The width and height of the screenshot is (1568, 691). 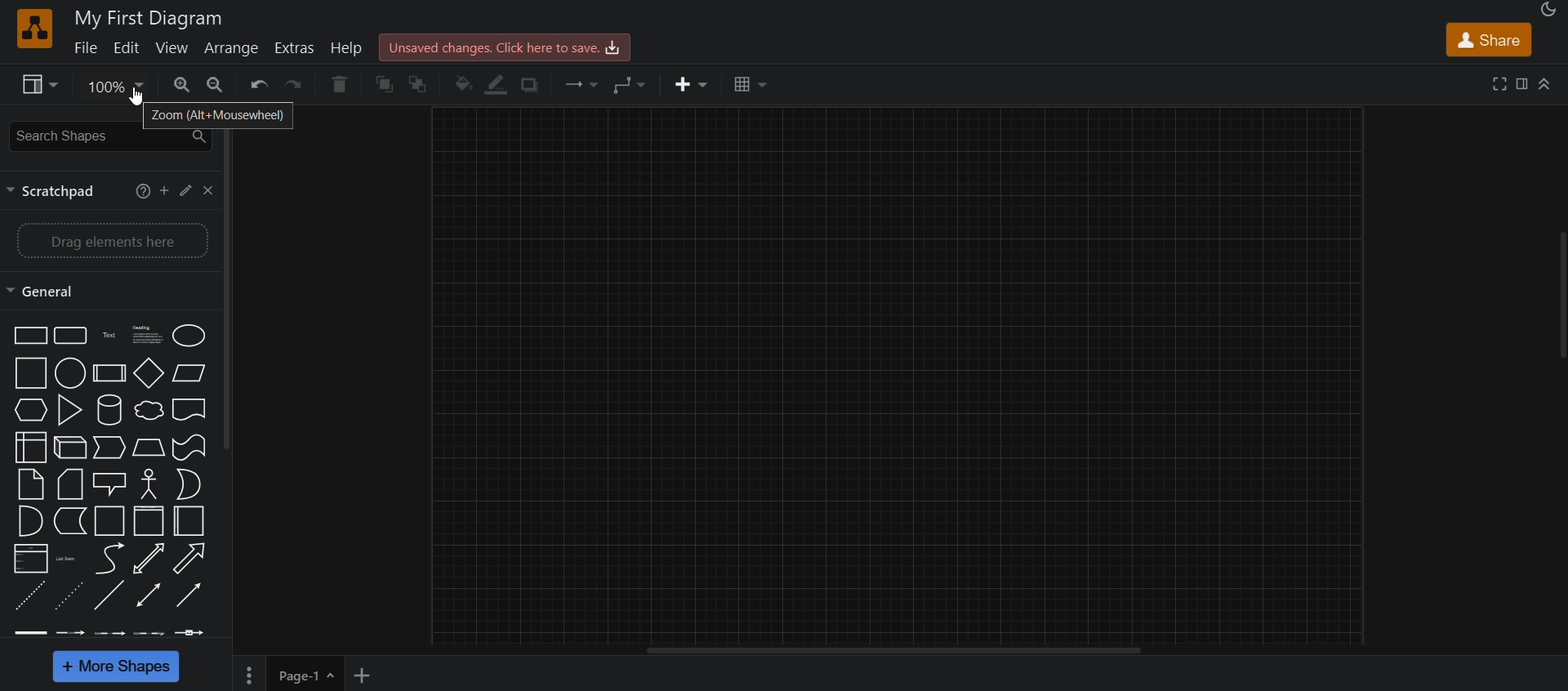 What do you see at coordinates (160, 192) in the screenshot?
I see `add` at bounding box center [160, 192].